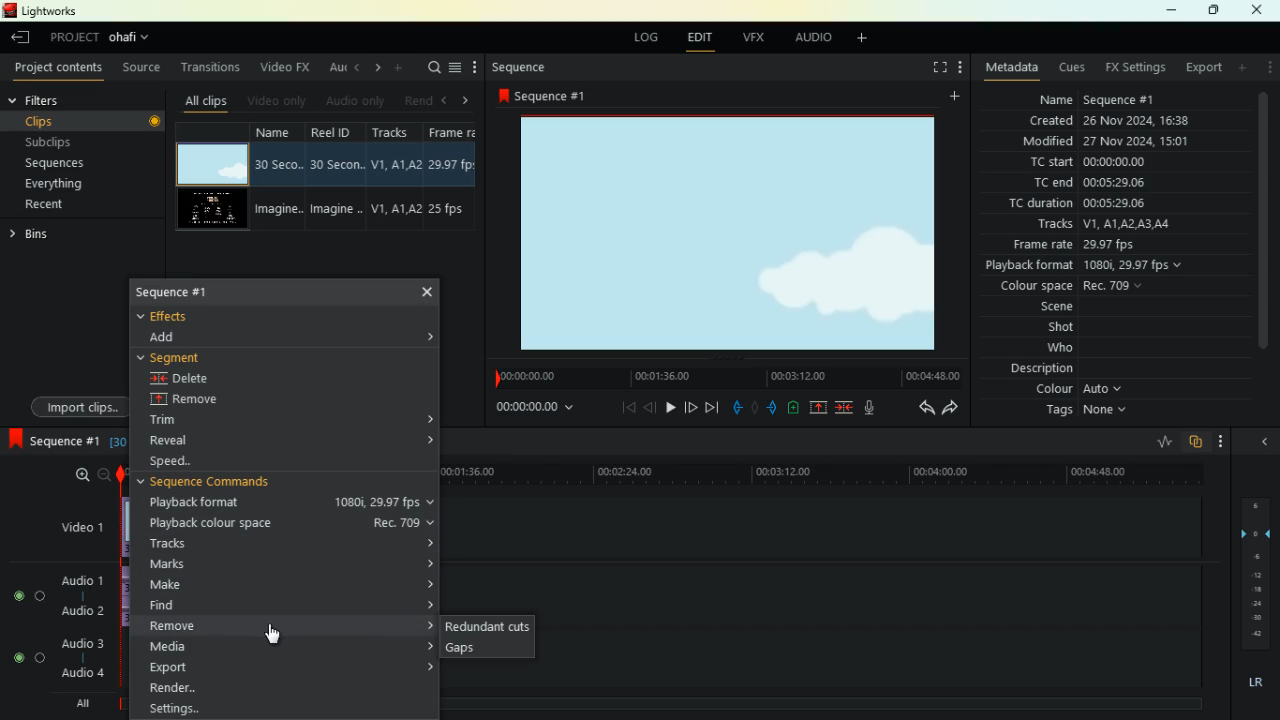 The width and height of the screenshot is (1280, 720). What do you see at coordinates (1084, 413) in the screenshot?
I see `tags None` at bounding box center [1084, 413].